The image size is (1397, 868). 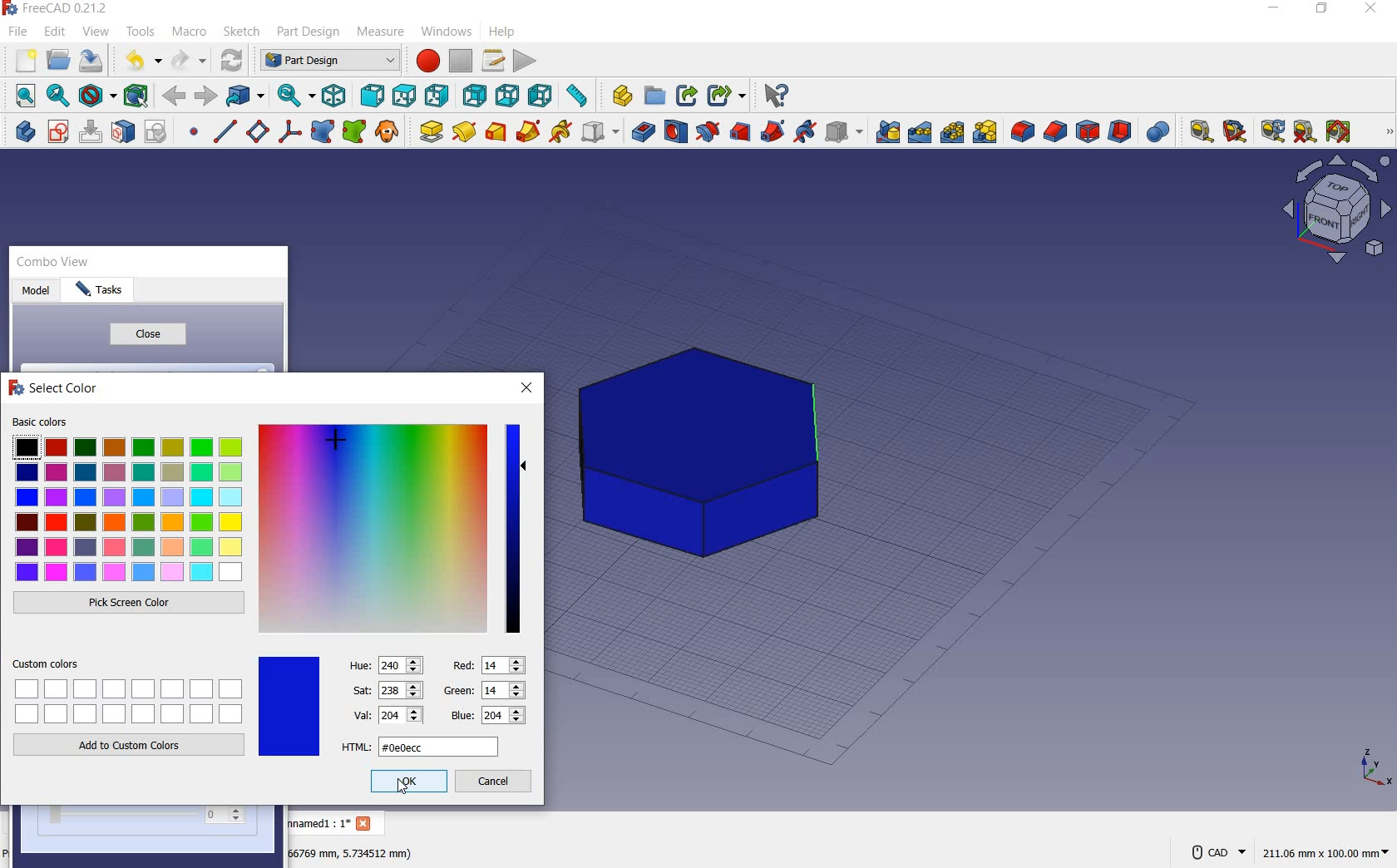 What do you see at coordinates (342, 448) in the screenshot?
I see `cursor at base color` at bounding box center [342, 448].